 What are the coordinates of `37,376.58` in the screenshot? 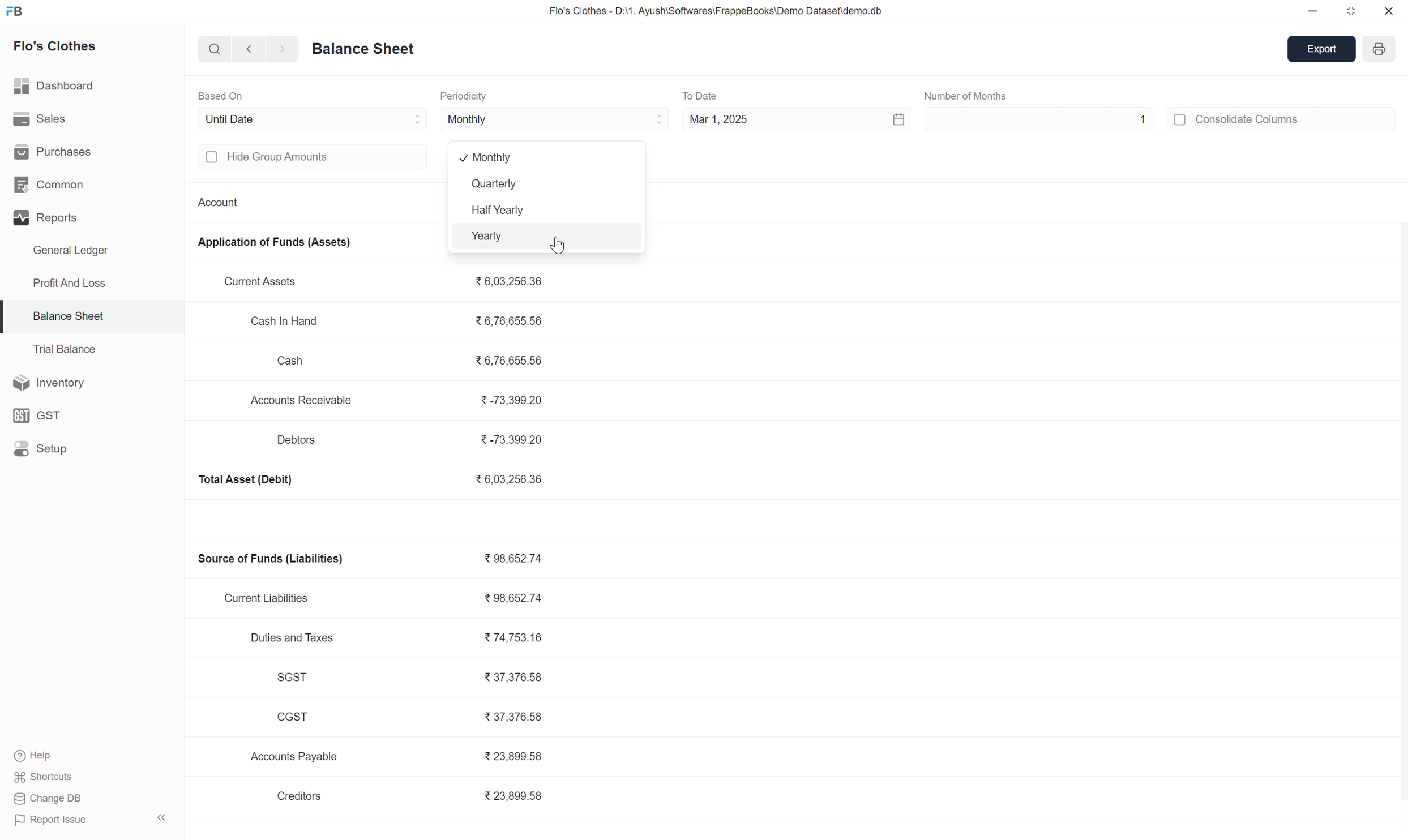 It's located at (515, 678).